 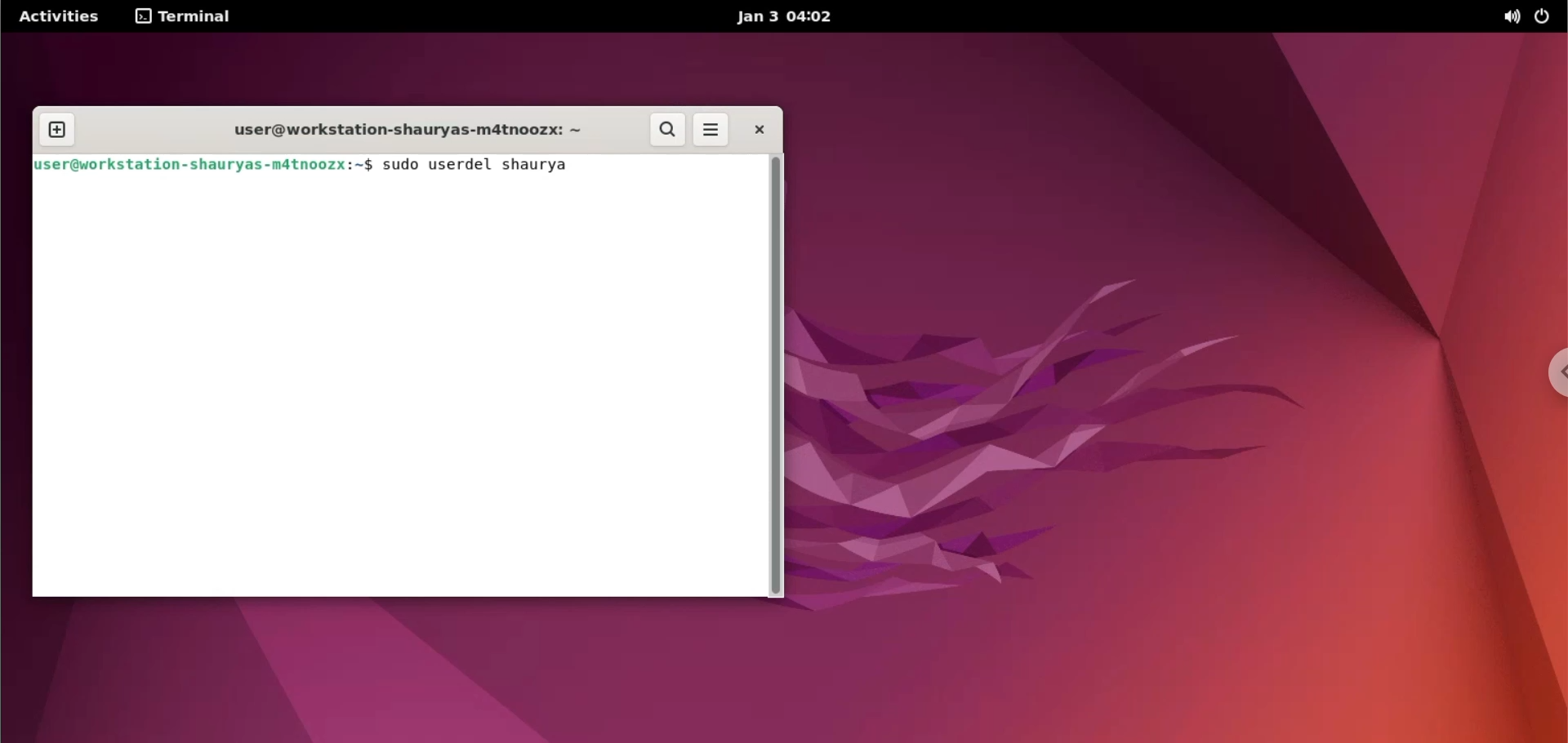 I want to click on terminal, so click(x=188, y=18).